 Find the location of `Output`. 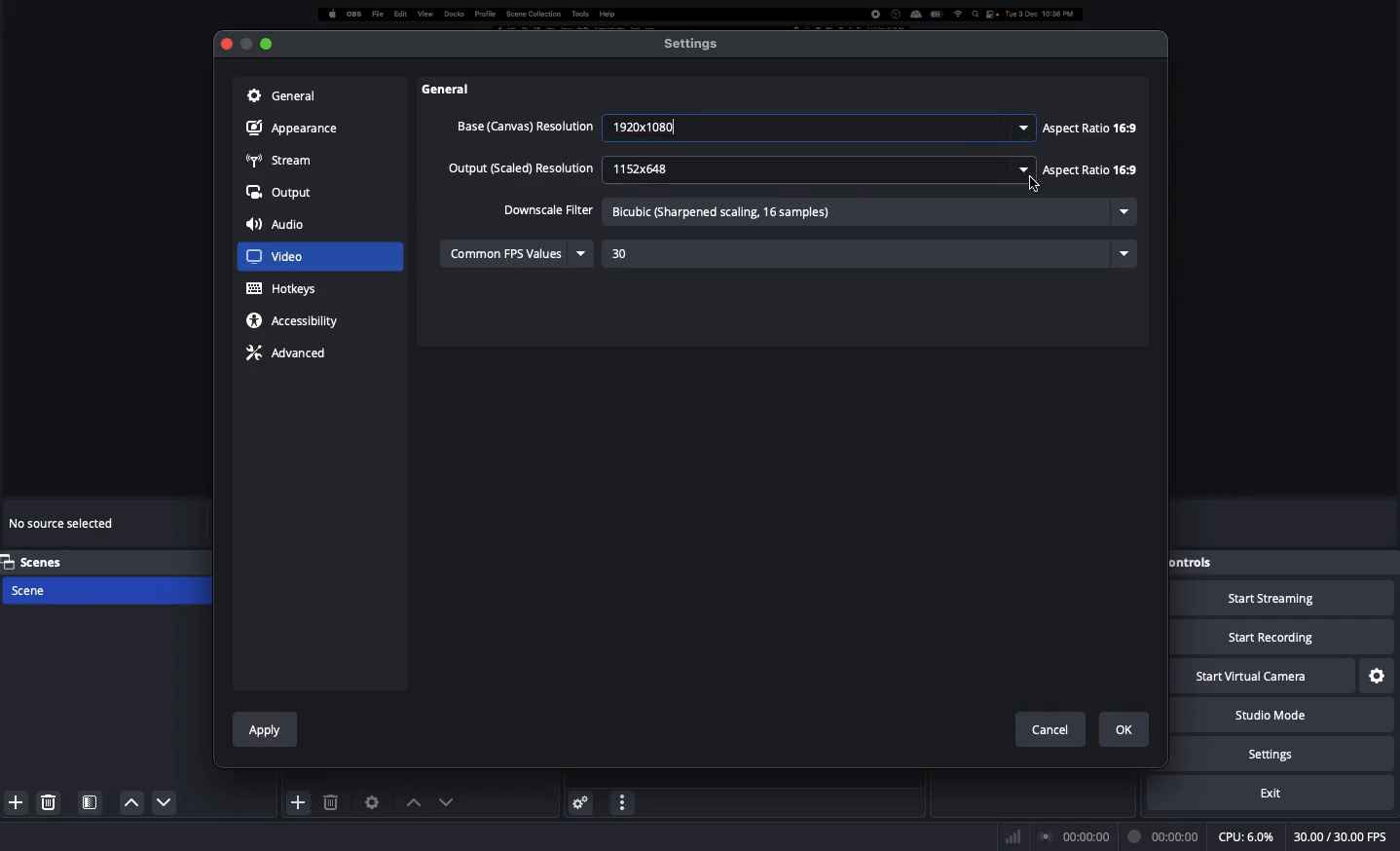

Output is located at coordinates (280, 194).